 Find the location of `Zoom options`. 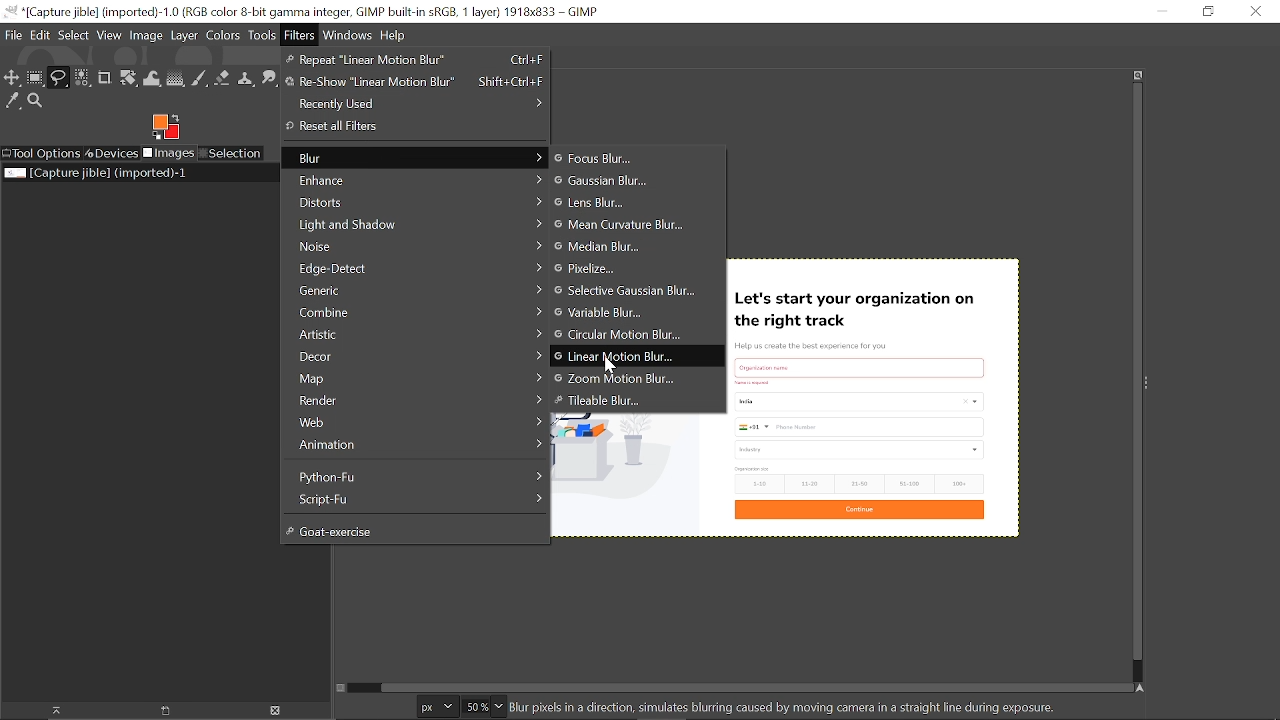

Zoom options is located at coordinates (499, 706).